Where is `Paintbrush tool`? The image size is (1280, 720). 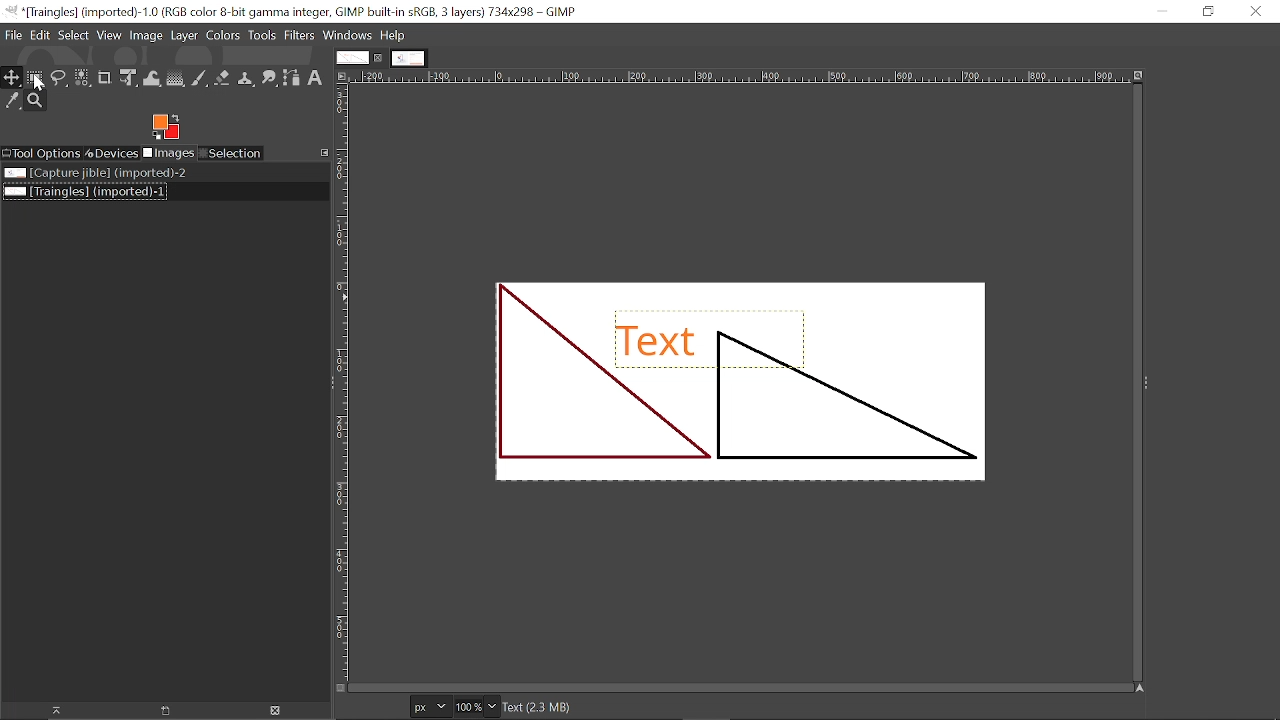 Paintbrush tool is located at coordinates (201, 79).